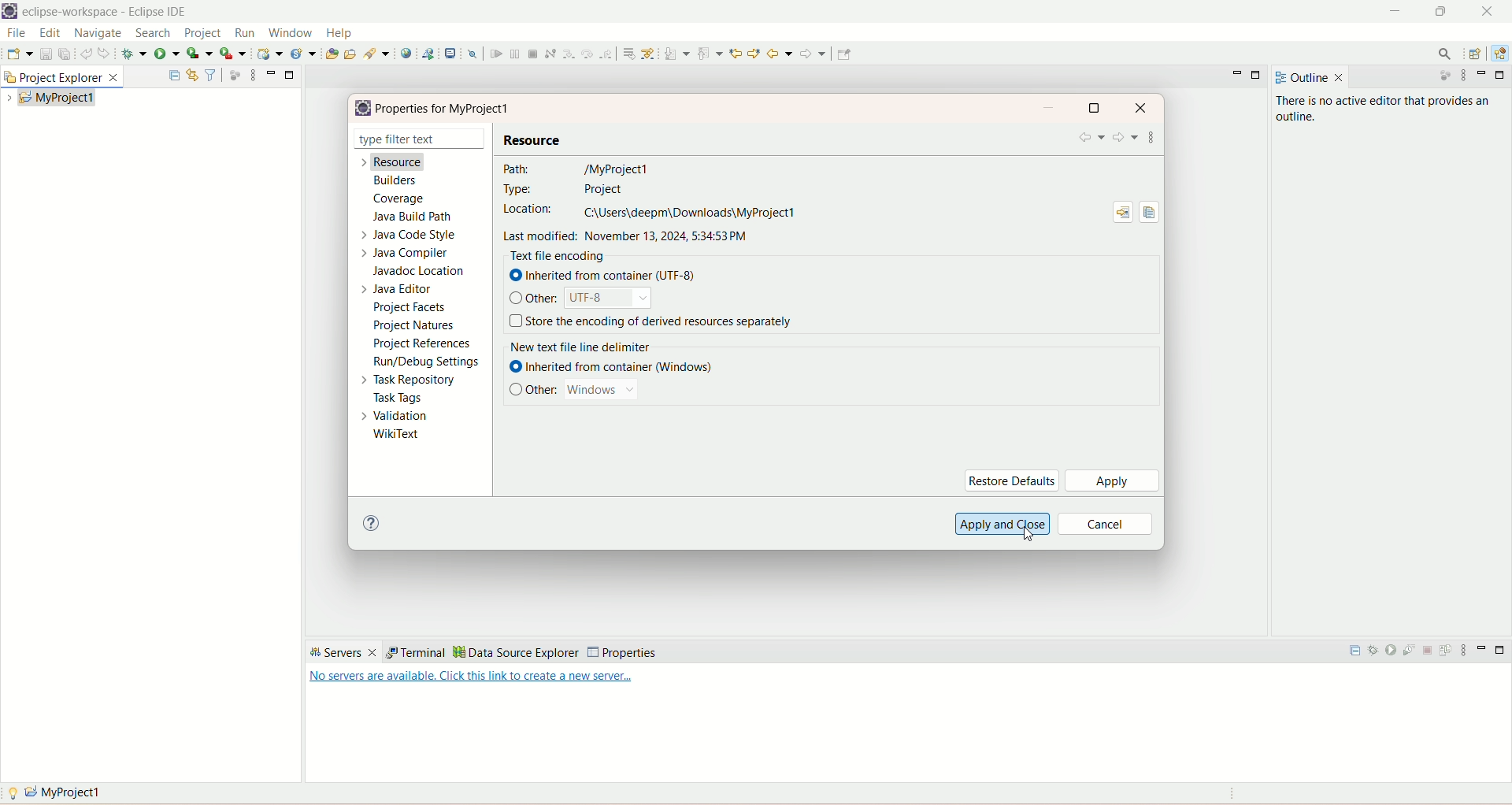 This screenshot has height=805, width=1512. Describe the element at coordinates (1013, 480) in the screenshot. I see `restore defaults` at that location.